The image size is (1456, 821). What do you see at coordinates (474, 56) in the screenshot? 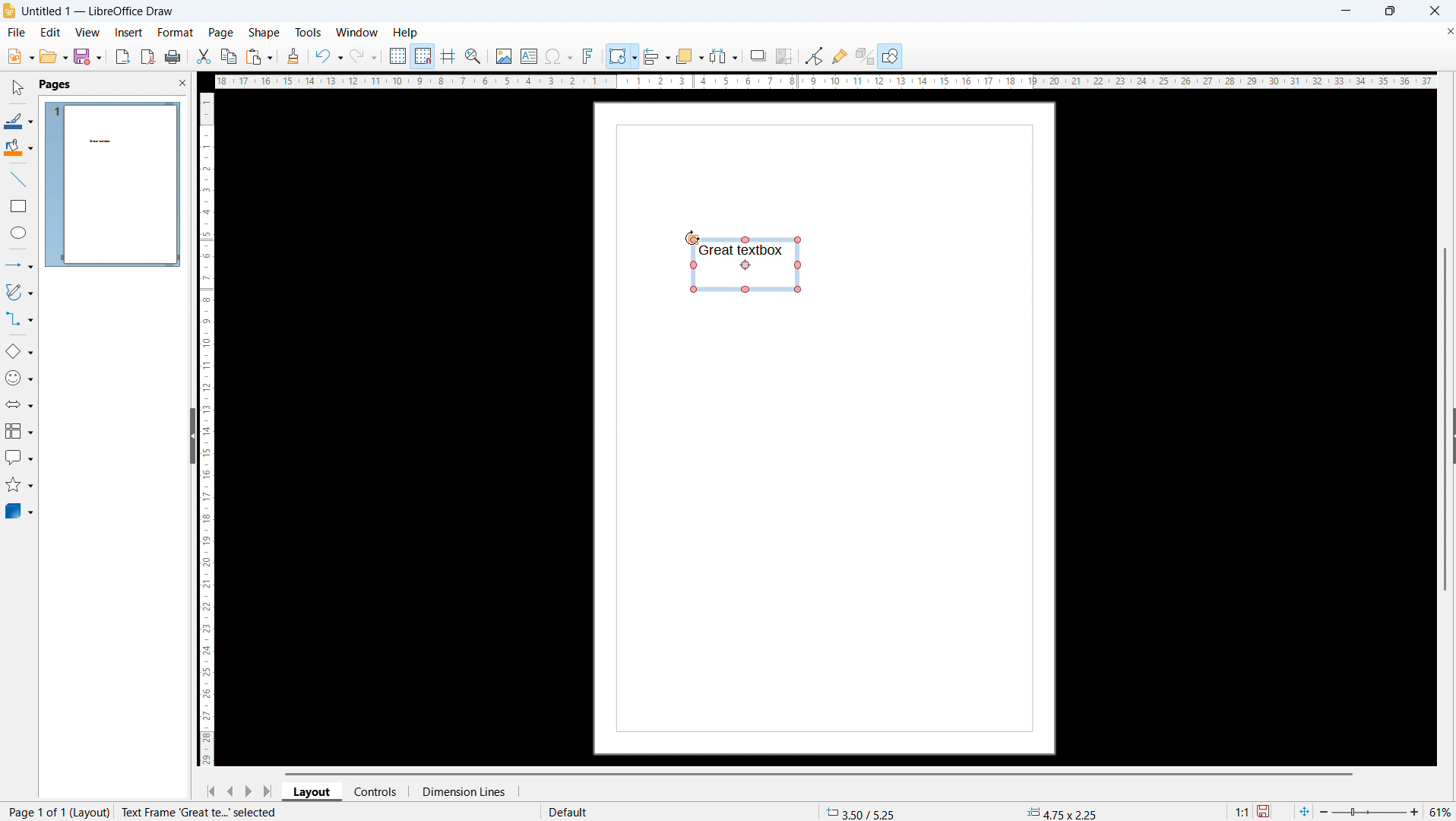
I see `zoom` at bounding box center [474, 56].